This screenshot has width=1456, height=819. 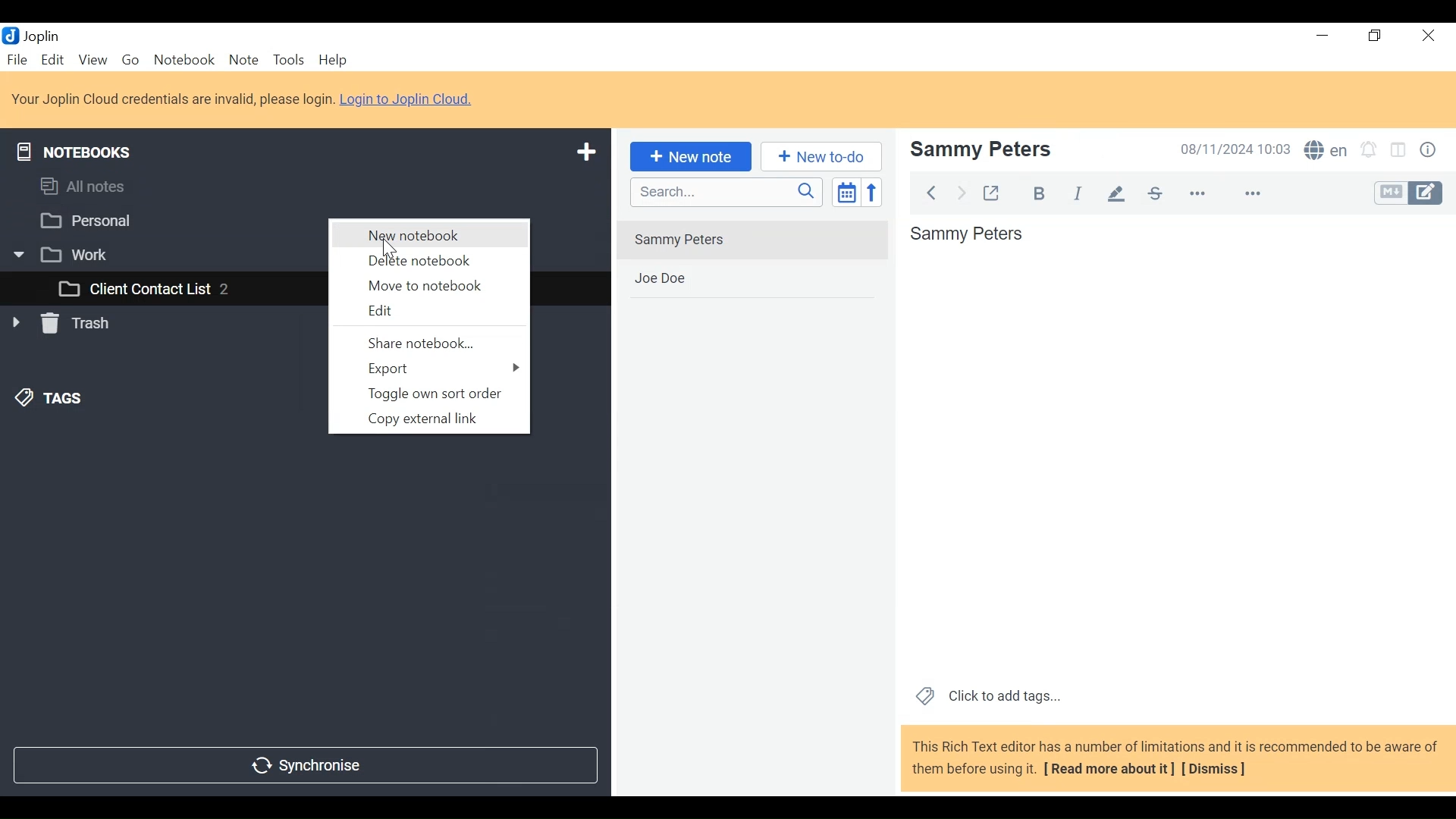 I want to click on Your Joplin Cloud credentials are invalid, please login. Login to Joplin Cloud., so click(x=246, y=99).